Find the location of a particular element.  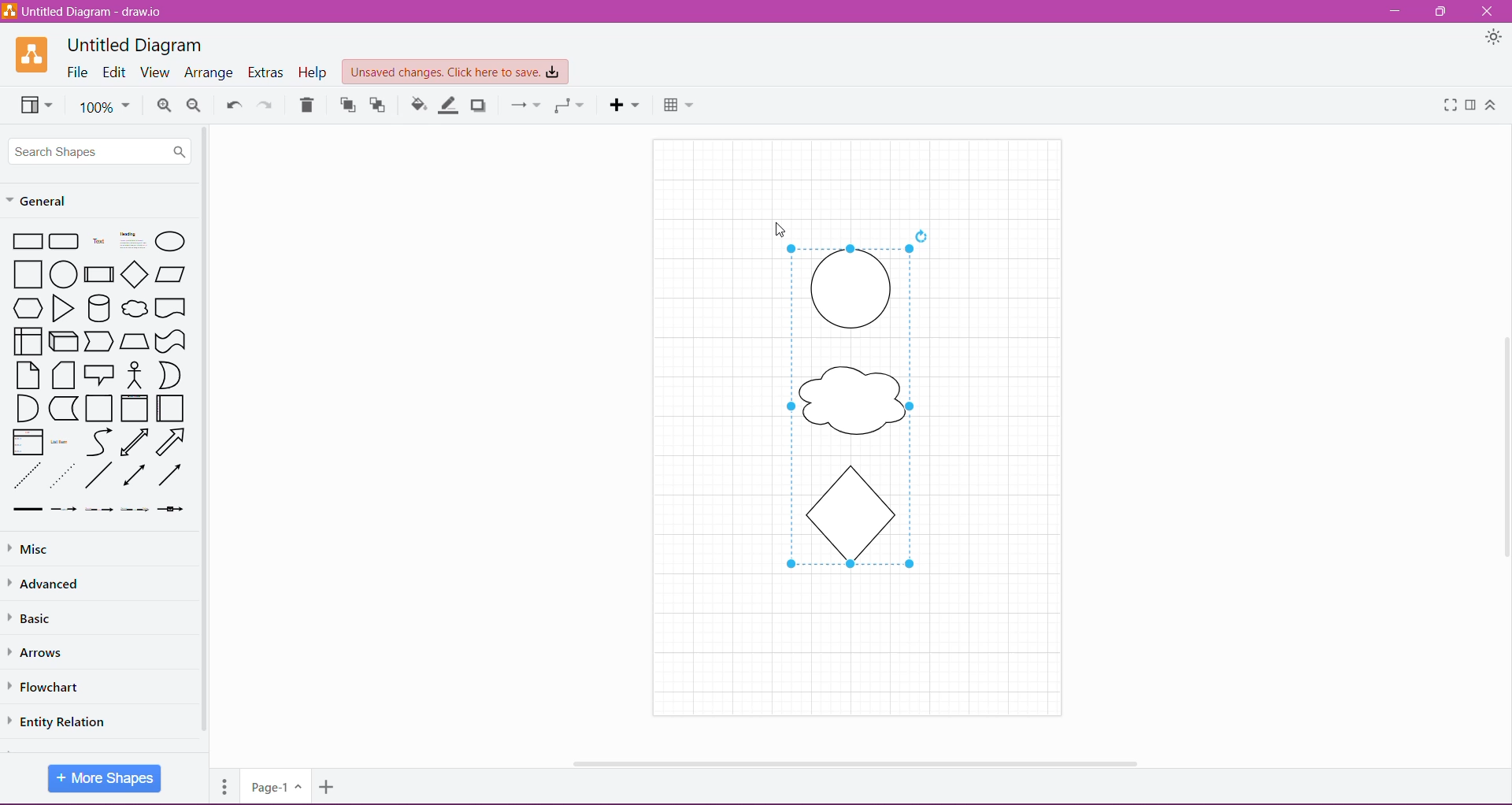

Help is located at coordinates (314, 72).